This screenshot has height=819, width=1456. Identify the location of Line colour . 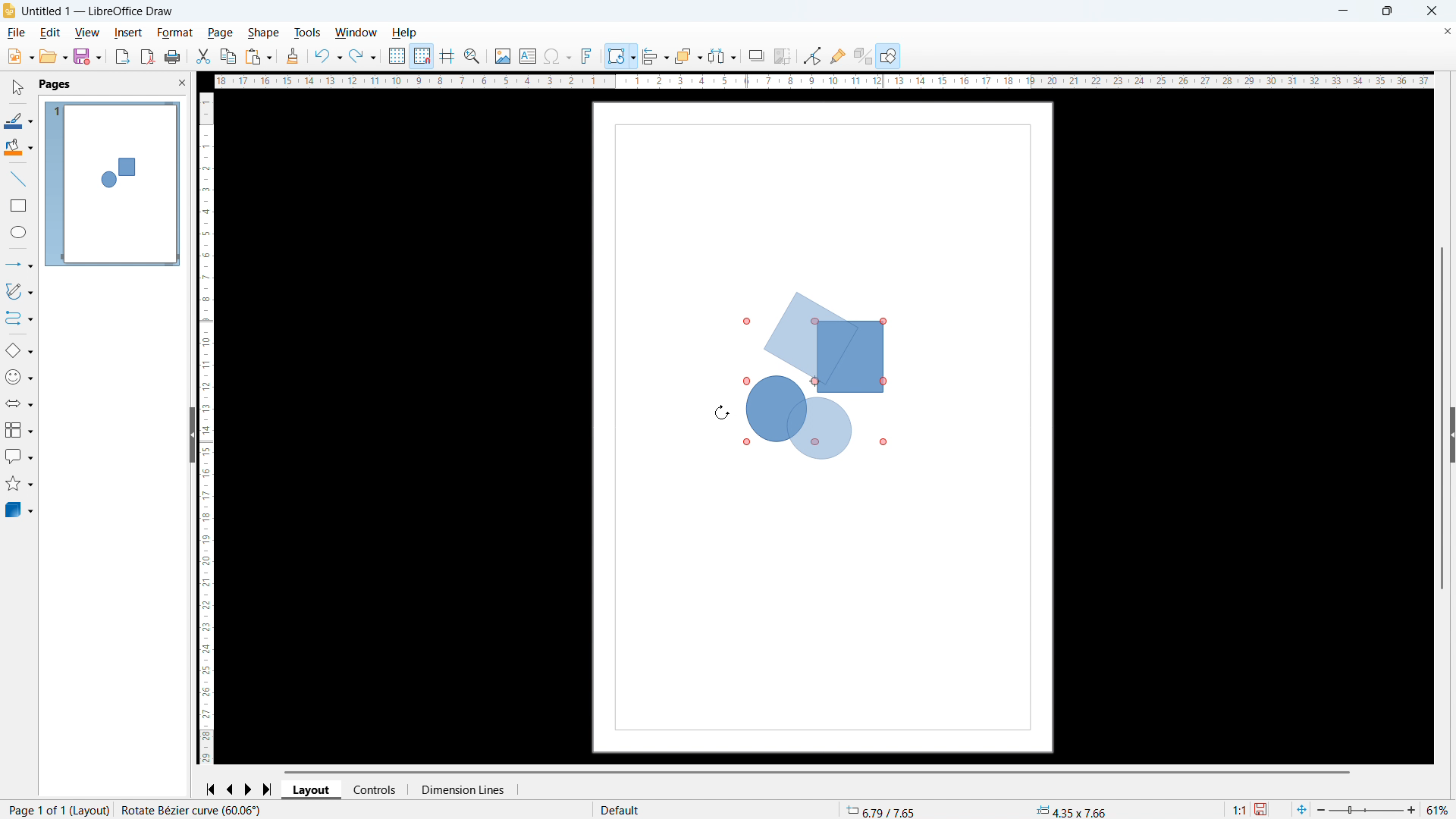
(19, 121).